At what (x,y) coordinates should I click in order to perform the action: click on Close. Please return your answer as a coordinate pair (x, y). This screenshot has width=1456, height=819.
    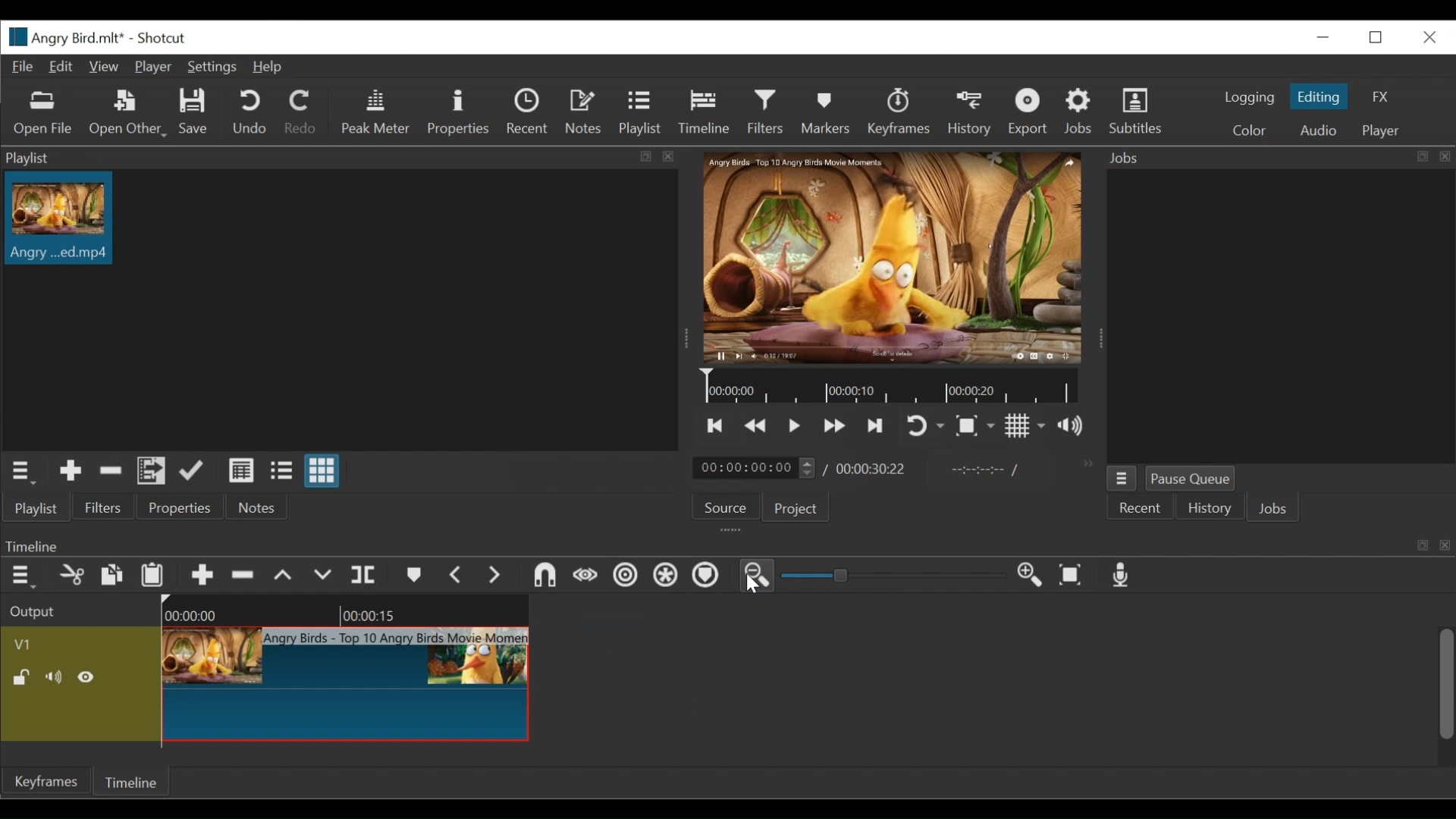
    Looking at the image, I should click on (1430, 38).